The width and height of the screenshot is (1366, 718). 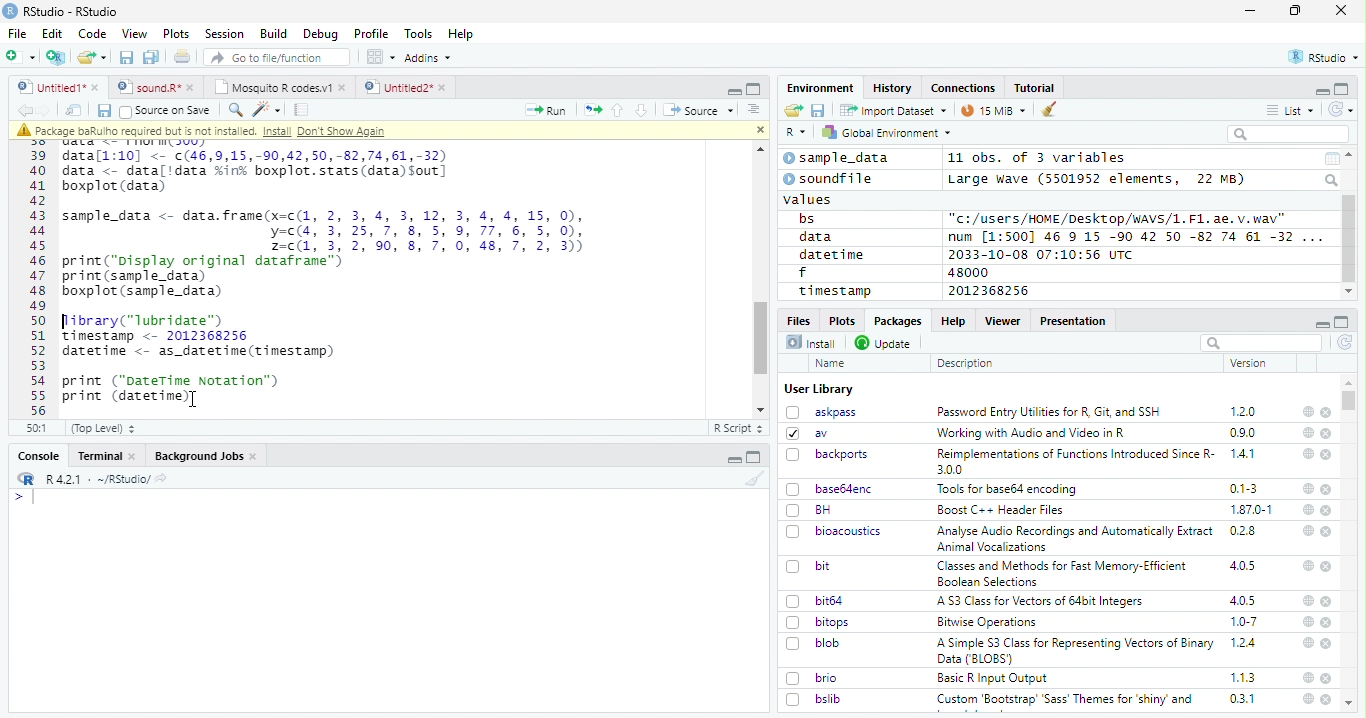 What do you see at coordinates (1327, 455) in the screenshot?
I see `close` at bounding box center [1327, 455].